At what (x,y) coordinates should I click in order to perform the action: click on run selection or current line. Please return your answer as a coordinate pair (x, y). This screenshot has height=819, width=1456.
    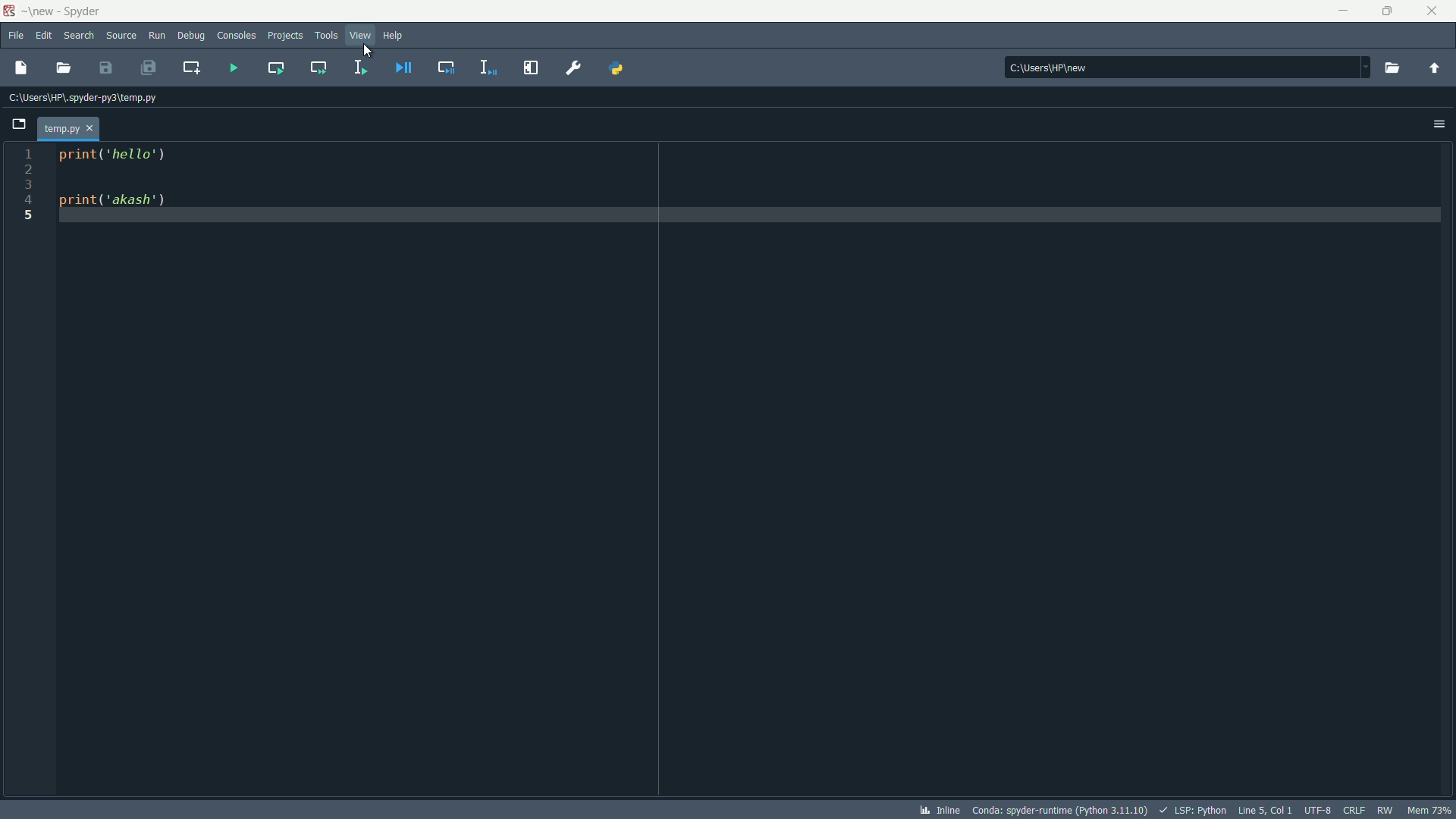
    Looking at the image, I should click on (362, 67).